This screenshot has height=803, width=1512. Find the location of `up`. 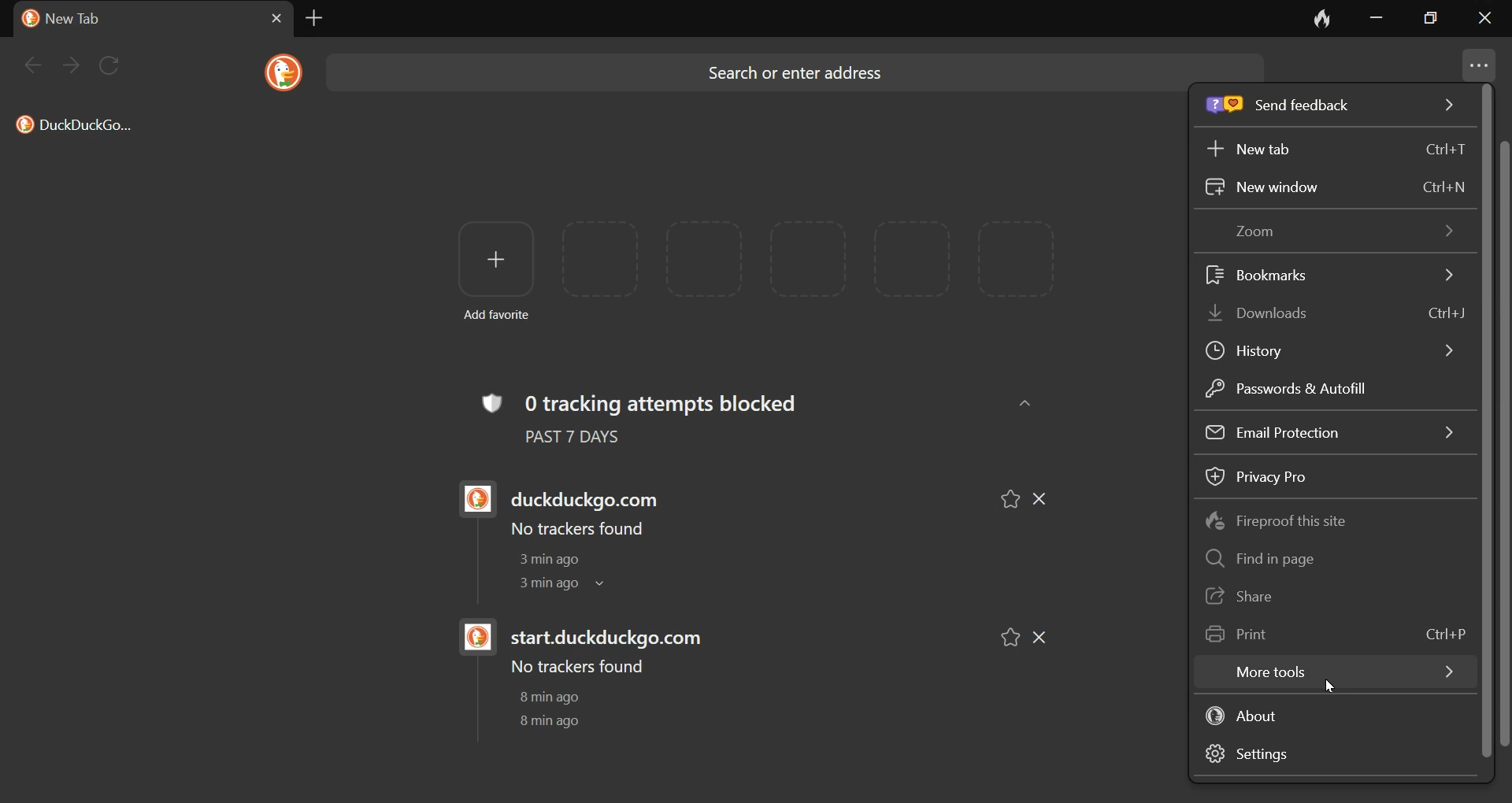

up is located at coordinates (1028, 402).